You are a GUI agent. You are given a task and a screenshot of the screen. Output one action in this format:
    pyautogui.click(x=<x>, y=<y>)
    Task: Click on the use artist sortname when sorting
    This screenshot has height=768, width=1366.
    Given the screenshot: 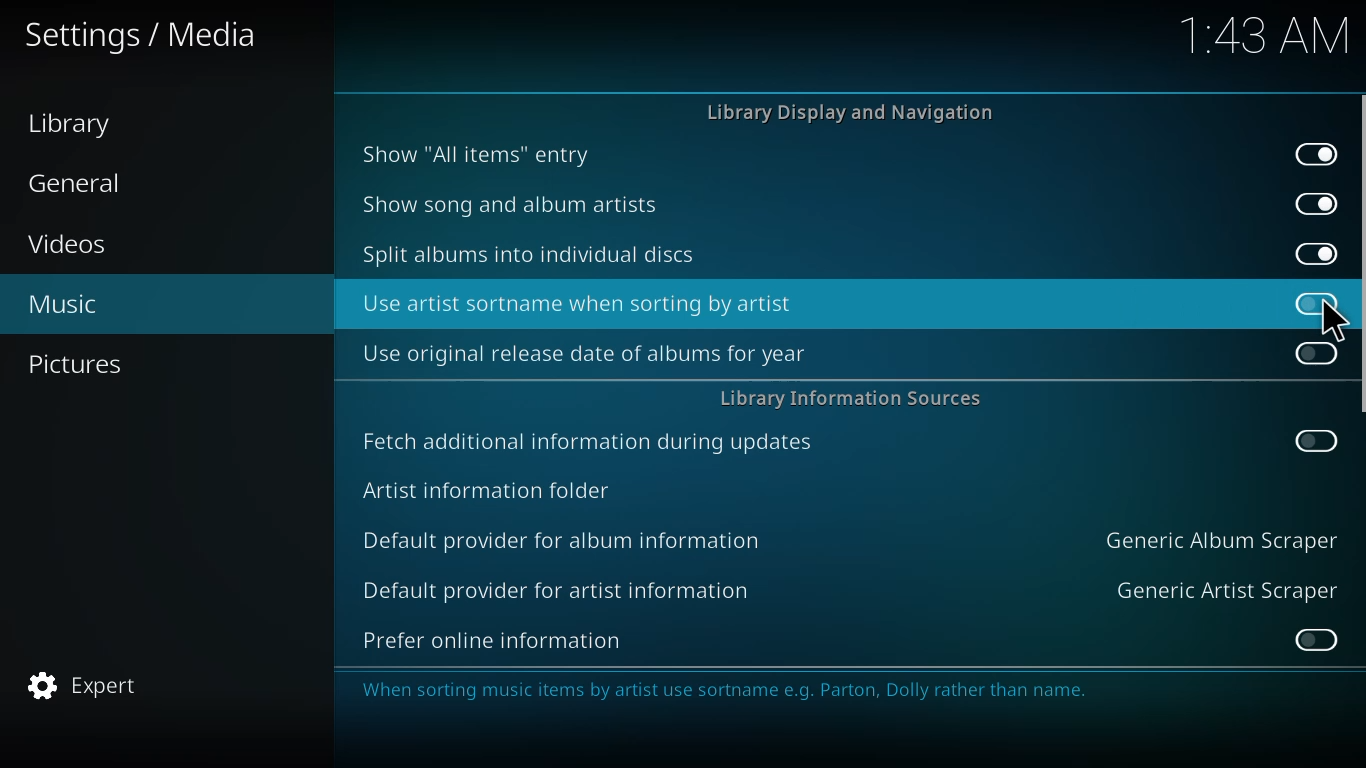 What is the action you would take?
    pyautogui.click(x=581, y=303)
    